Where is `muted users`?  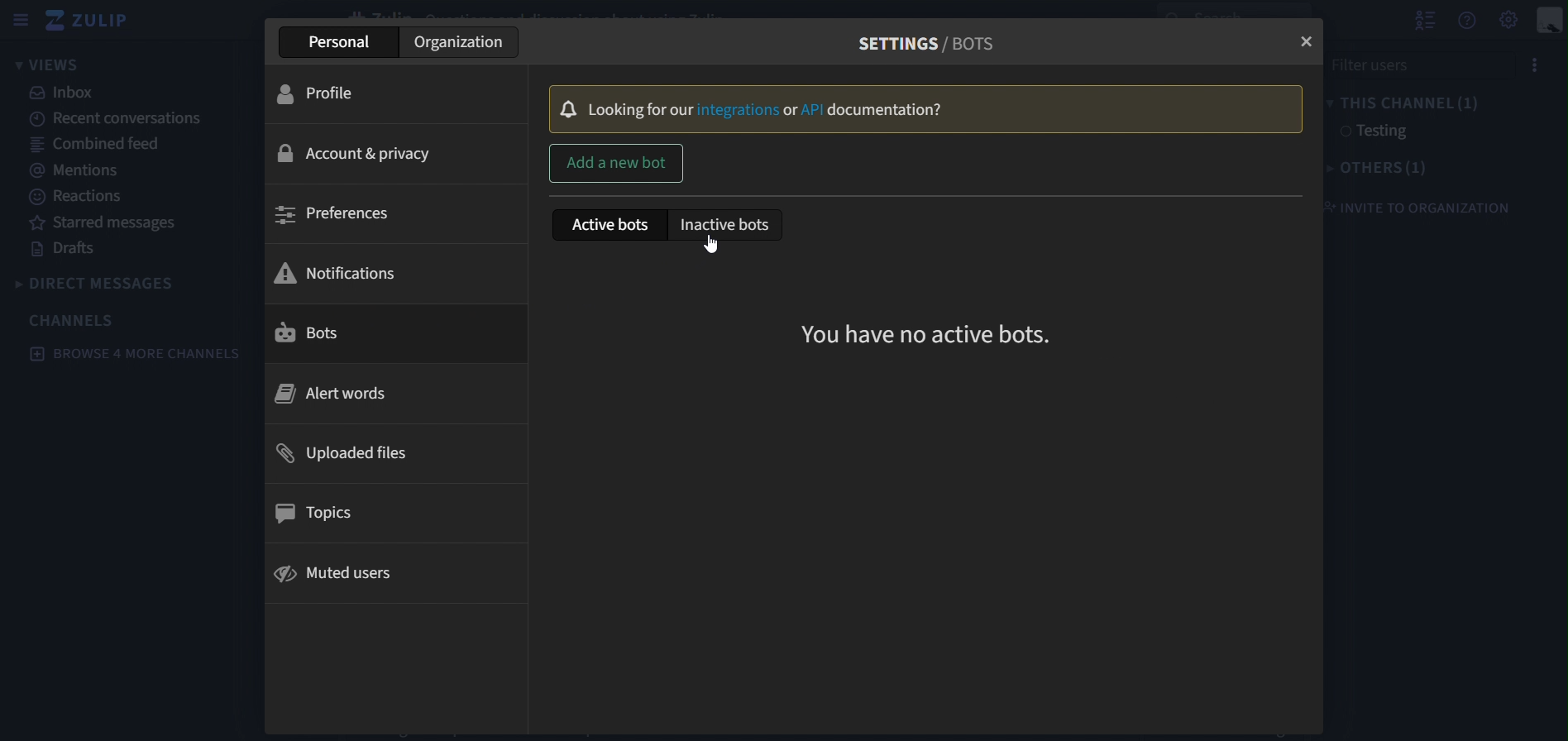 muted users is located at coordinates (336, 576).